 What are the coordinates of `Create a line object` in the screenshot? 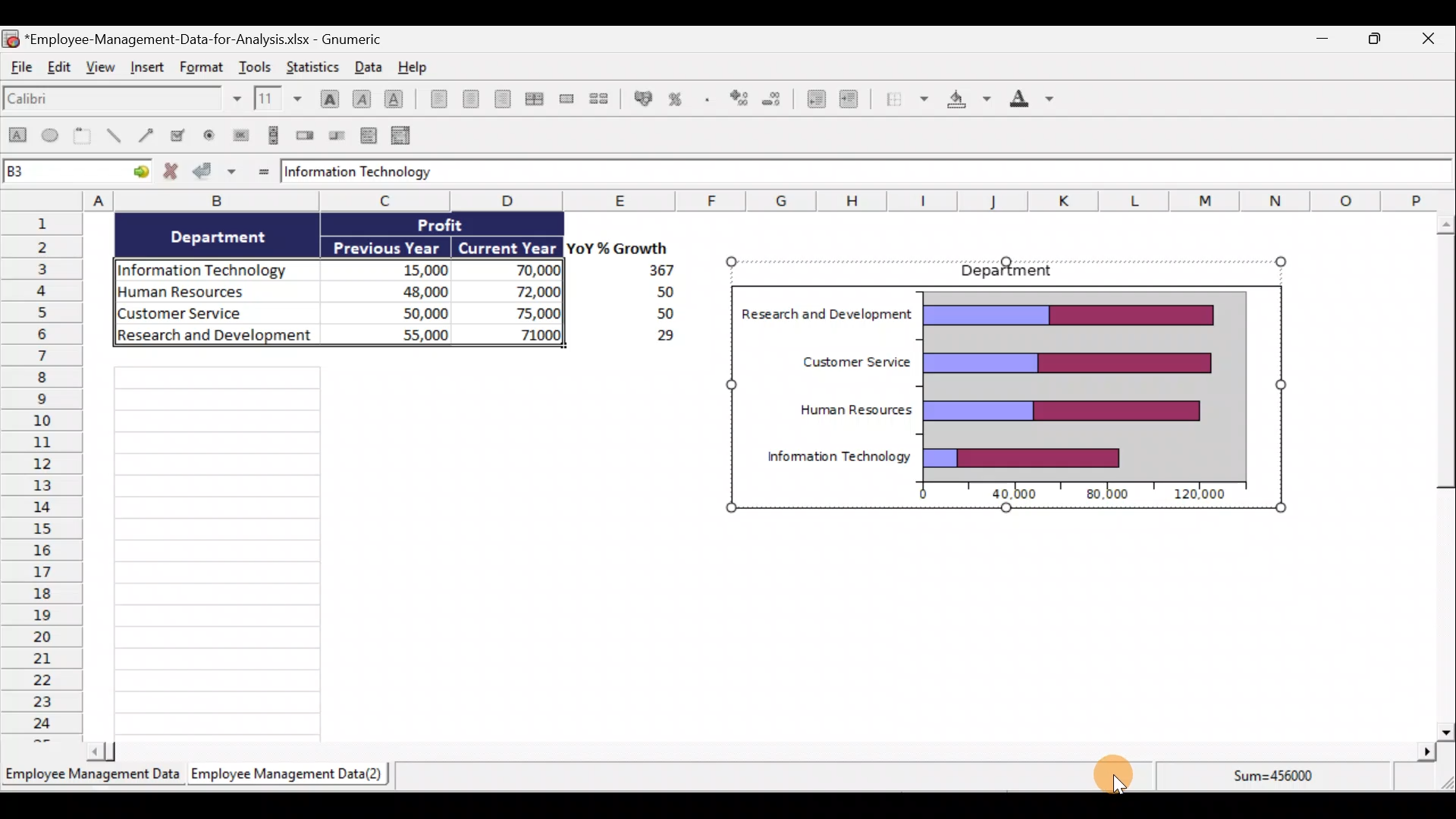 It's located at (118, 136).